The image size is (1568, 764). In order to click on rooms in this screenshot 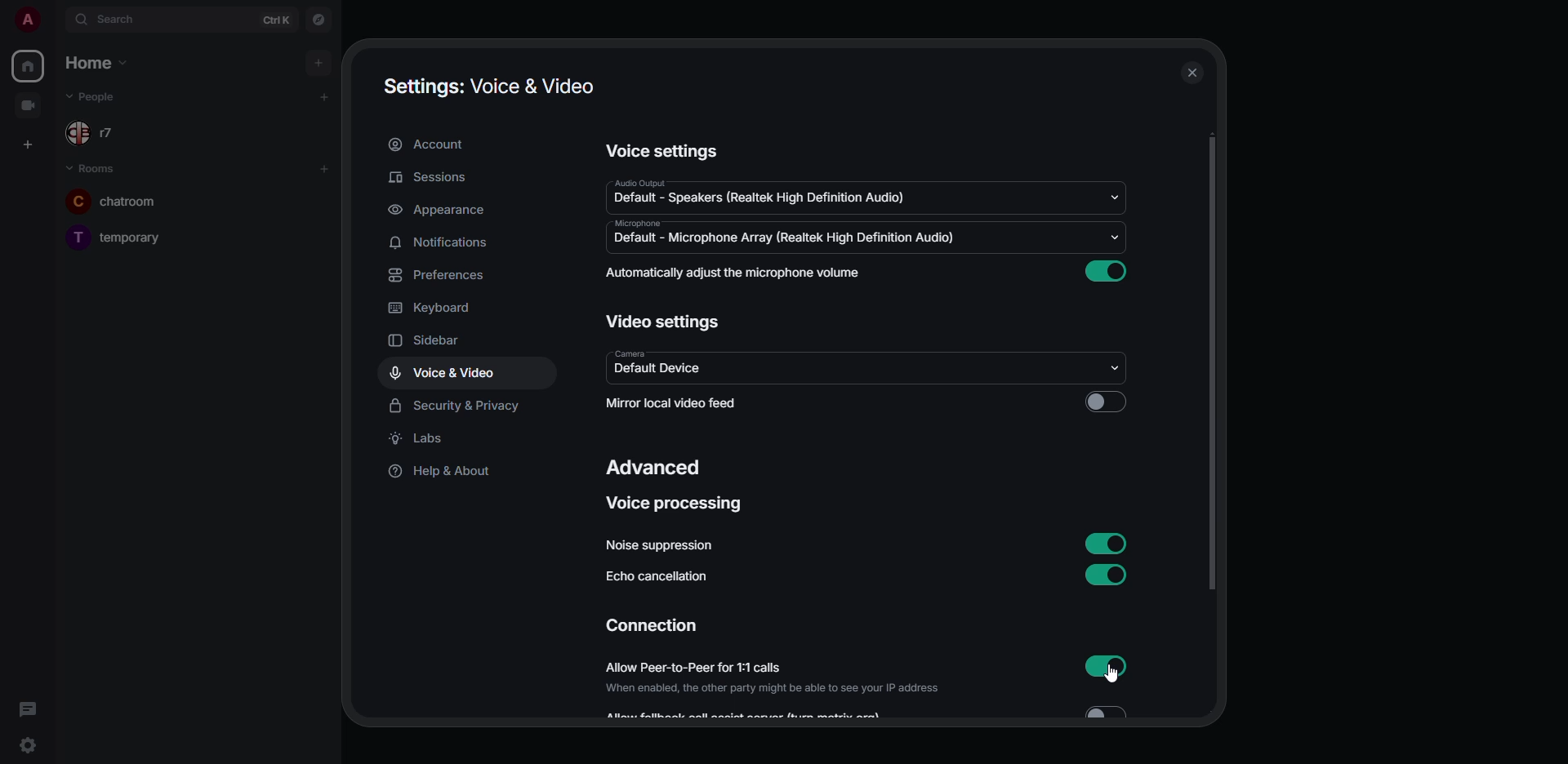, I will do `click(95, 167)`.